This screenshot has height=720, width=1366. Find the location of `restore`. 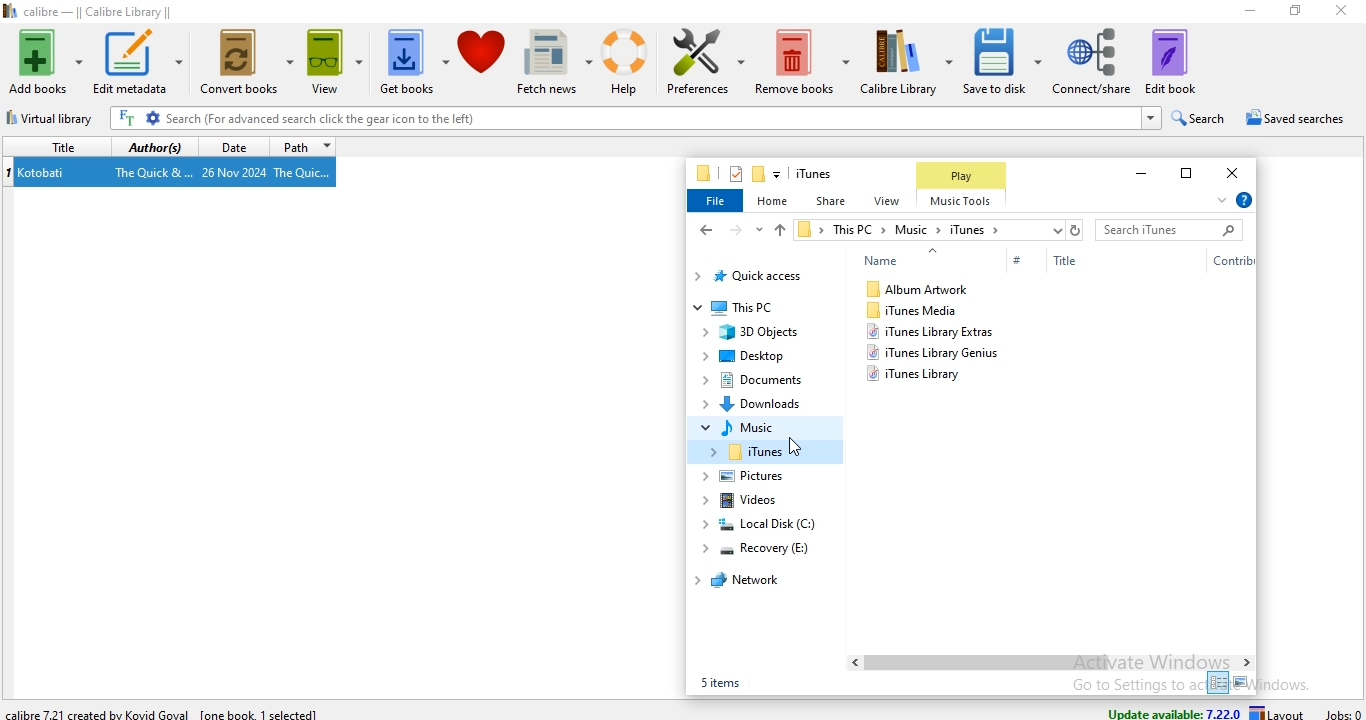

restore is located at coordinates (1183, 171).